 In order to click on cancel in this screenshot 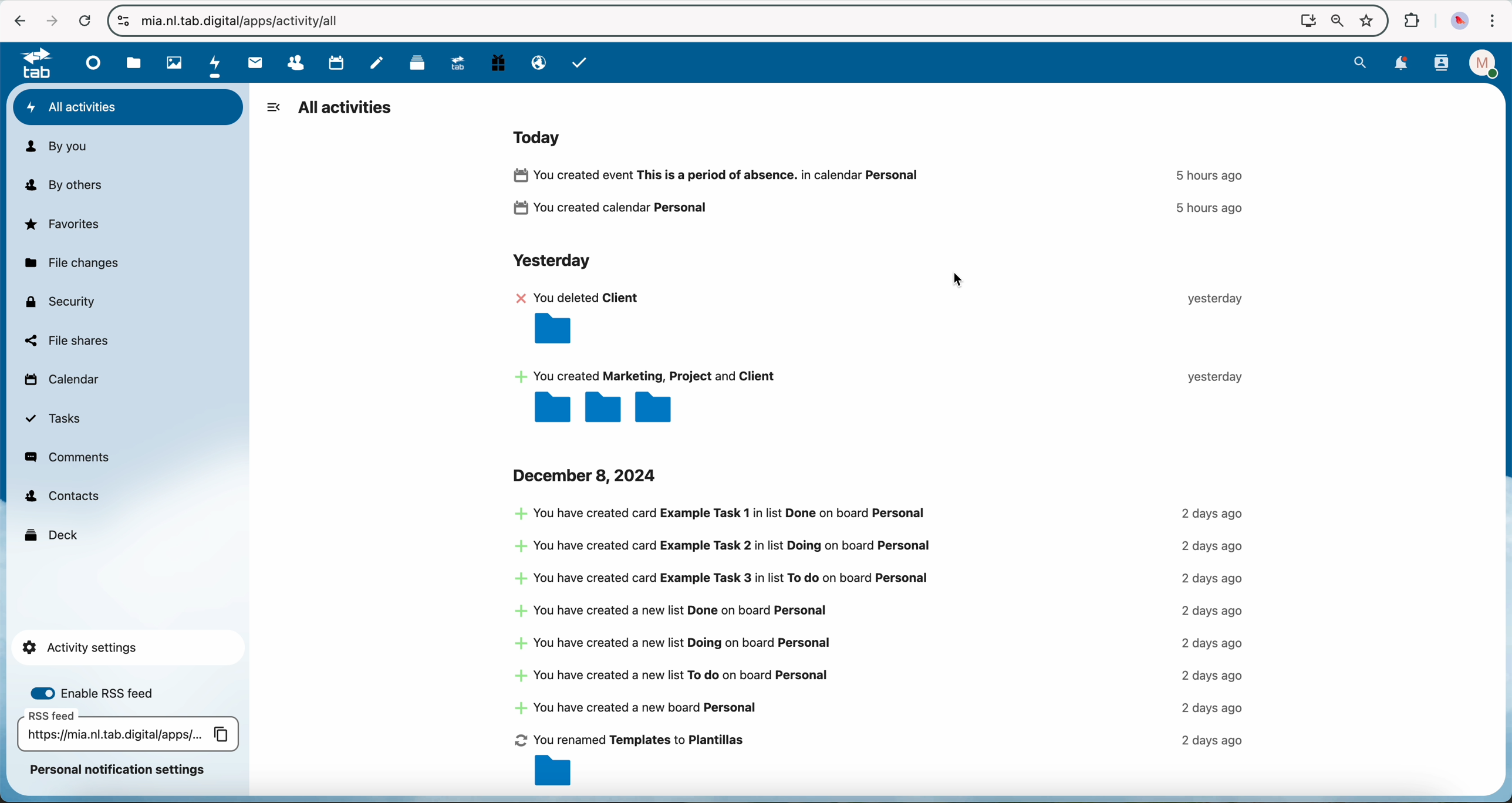, I will do `click(85, 22)`.